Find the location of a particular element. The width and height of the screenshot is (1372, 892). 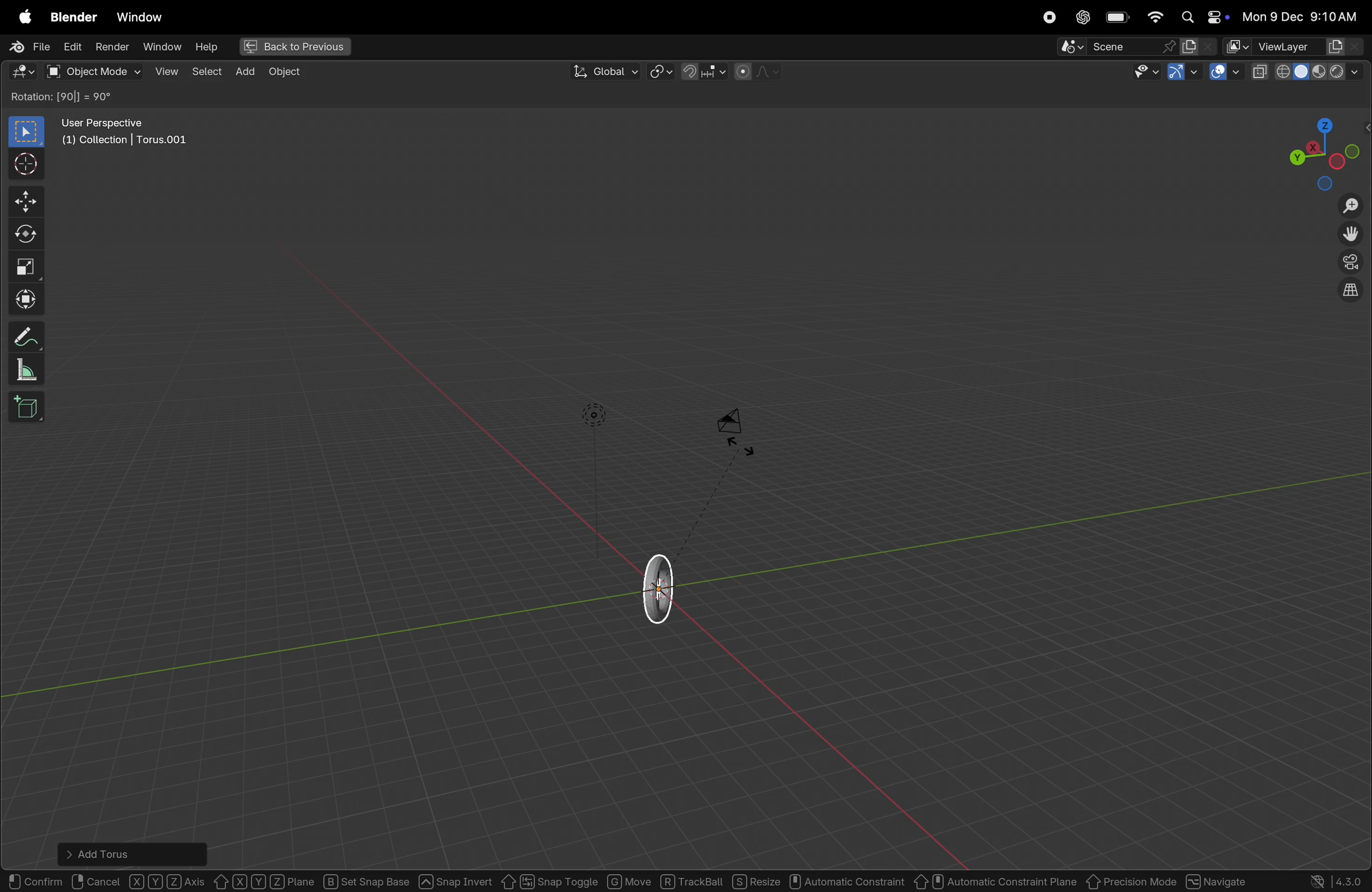

date and time is located at coordinates (1304, 16).